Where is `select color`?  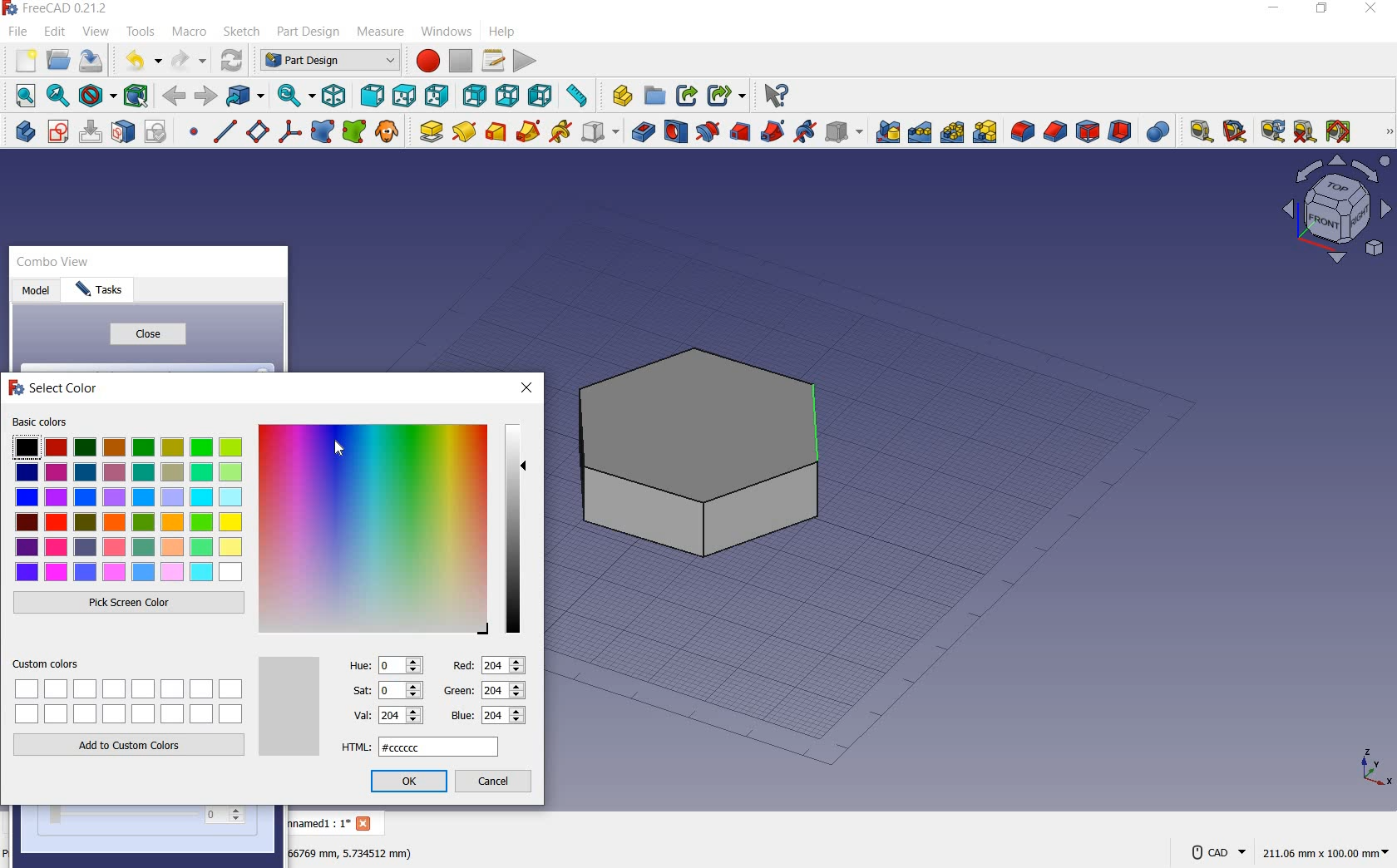 select color is located at coordinates (54, 391).